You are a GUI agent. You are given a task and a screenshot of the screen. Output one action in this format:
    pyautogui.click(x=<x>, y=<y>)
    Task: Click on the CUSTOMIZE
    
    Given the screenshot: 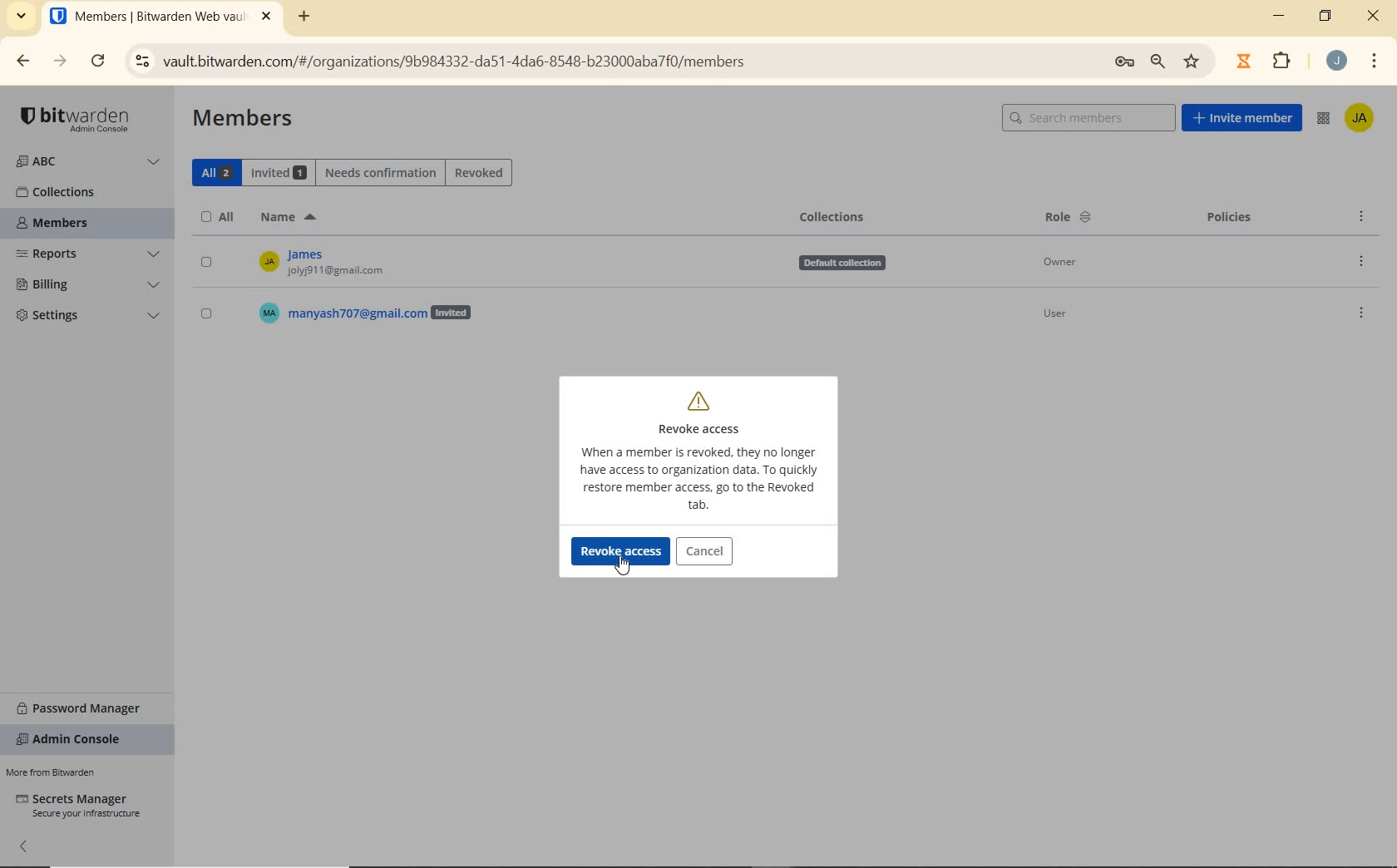 What is the action you would take?
    pyautogui.click(x=1375, y=61)
    